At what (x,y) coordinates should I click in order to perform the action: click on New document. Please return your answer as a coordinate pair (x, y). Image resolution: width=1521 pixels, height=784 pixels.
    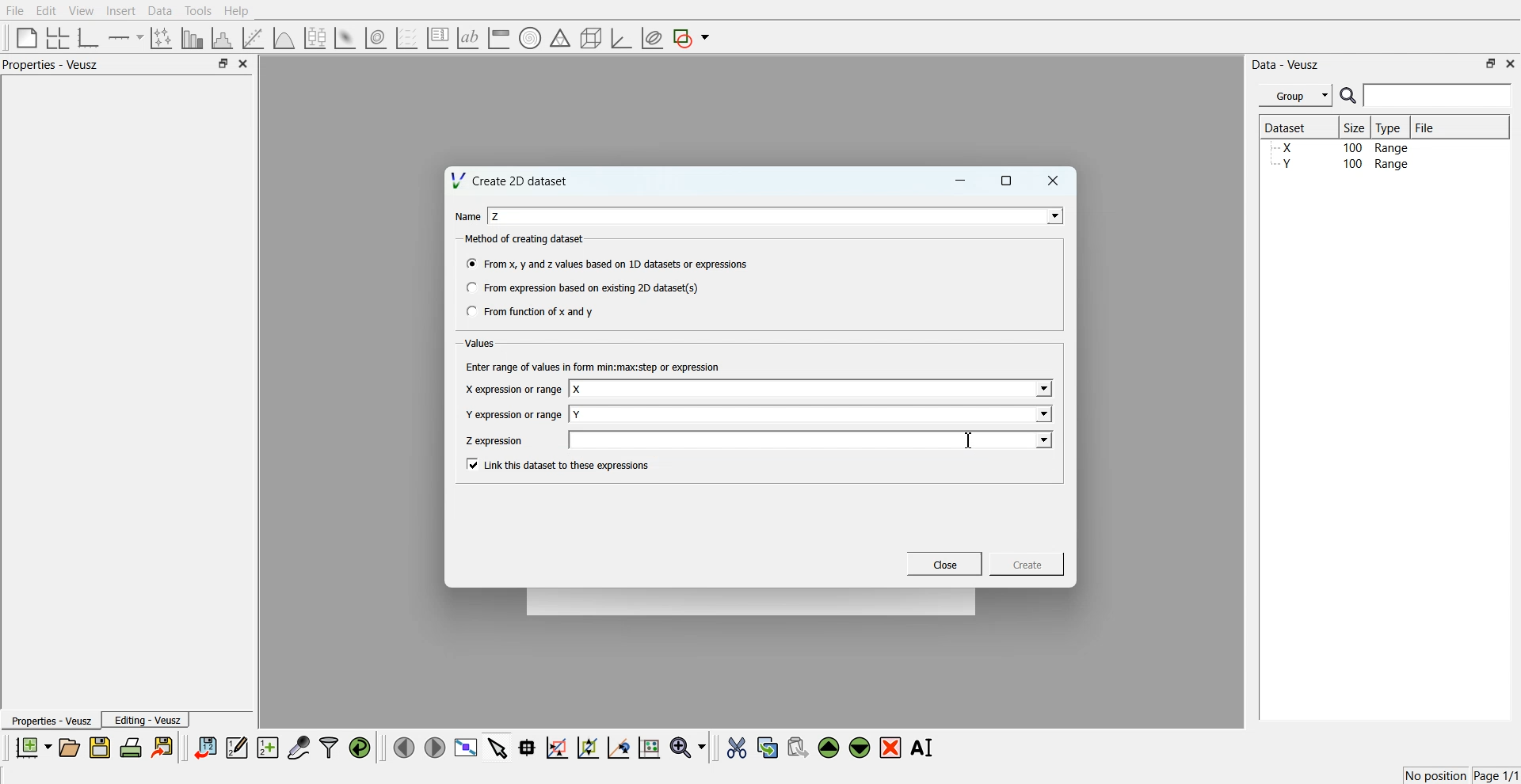
    Looking at the image, I should click on (32, 747).